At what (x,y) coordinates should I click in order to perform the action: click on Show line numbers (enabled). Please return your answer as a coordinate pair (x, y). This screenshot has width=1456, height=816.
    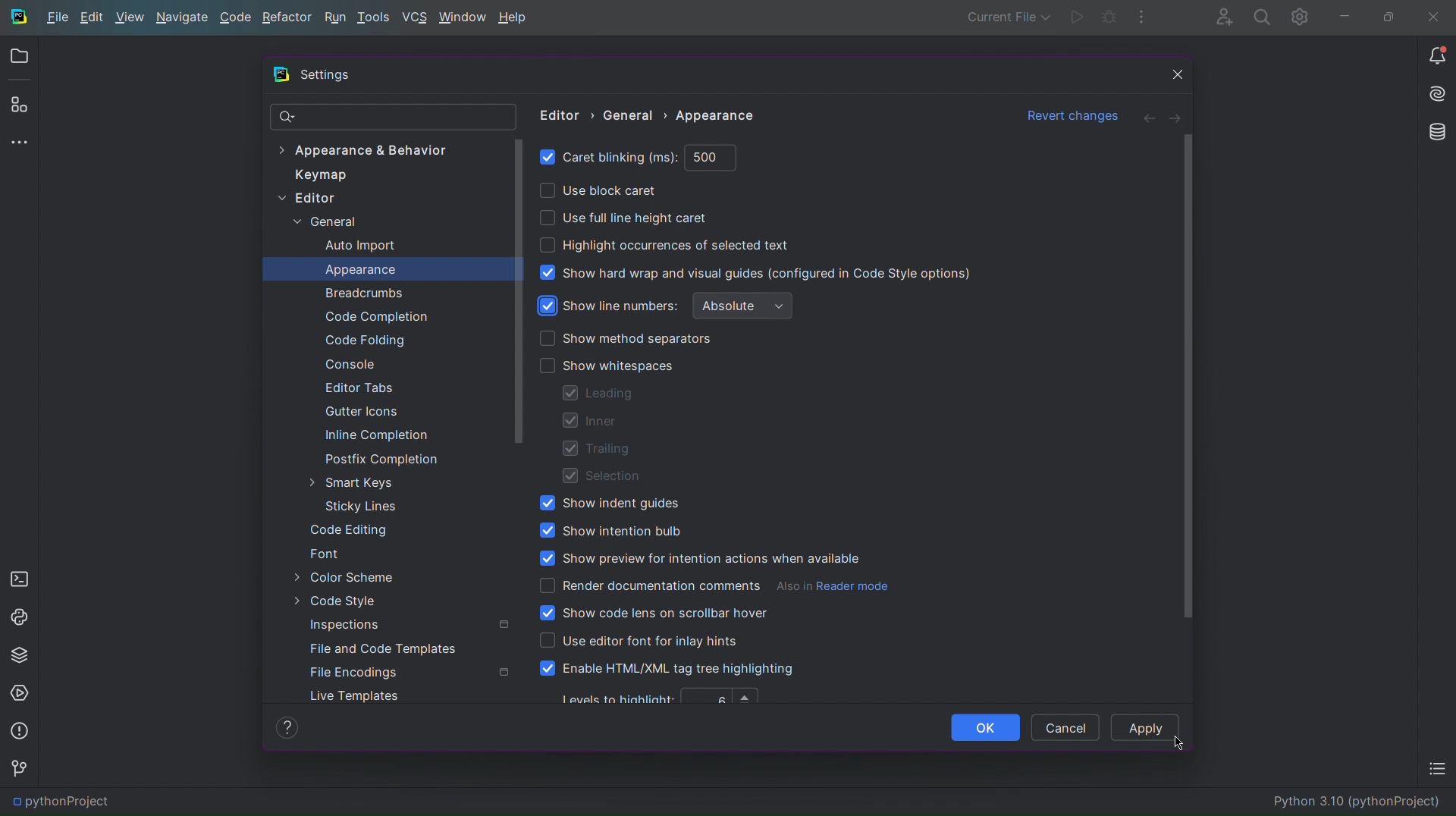
    Looking at the image, I should click on (608, 306).